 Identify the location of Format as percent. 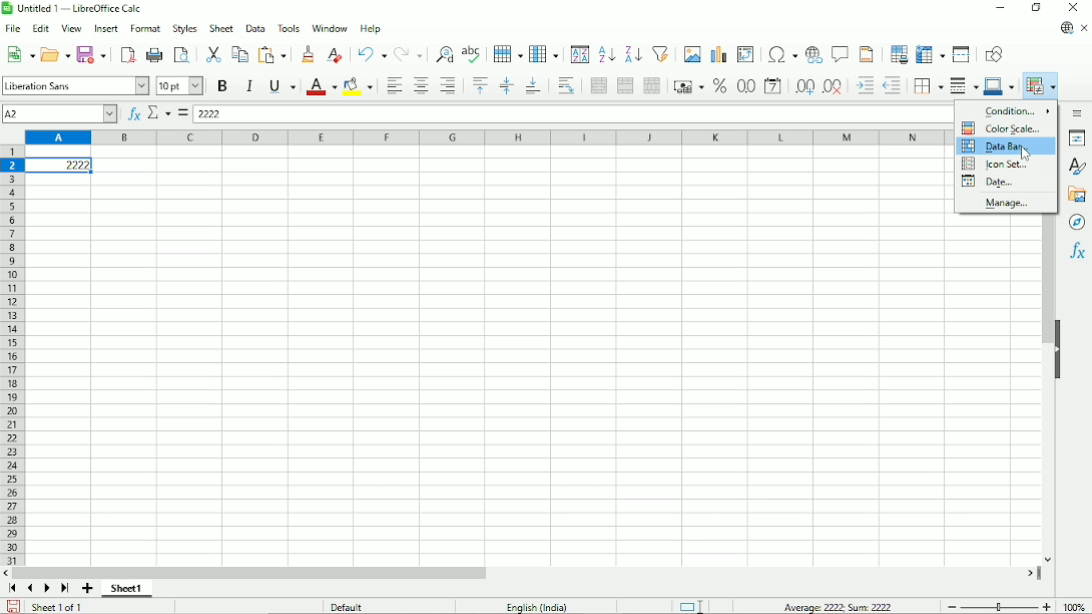
(718, 86).